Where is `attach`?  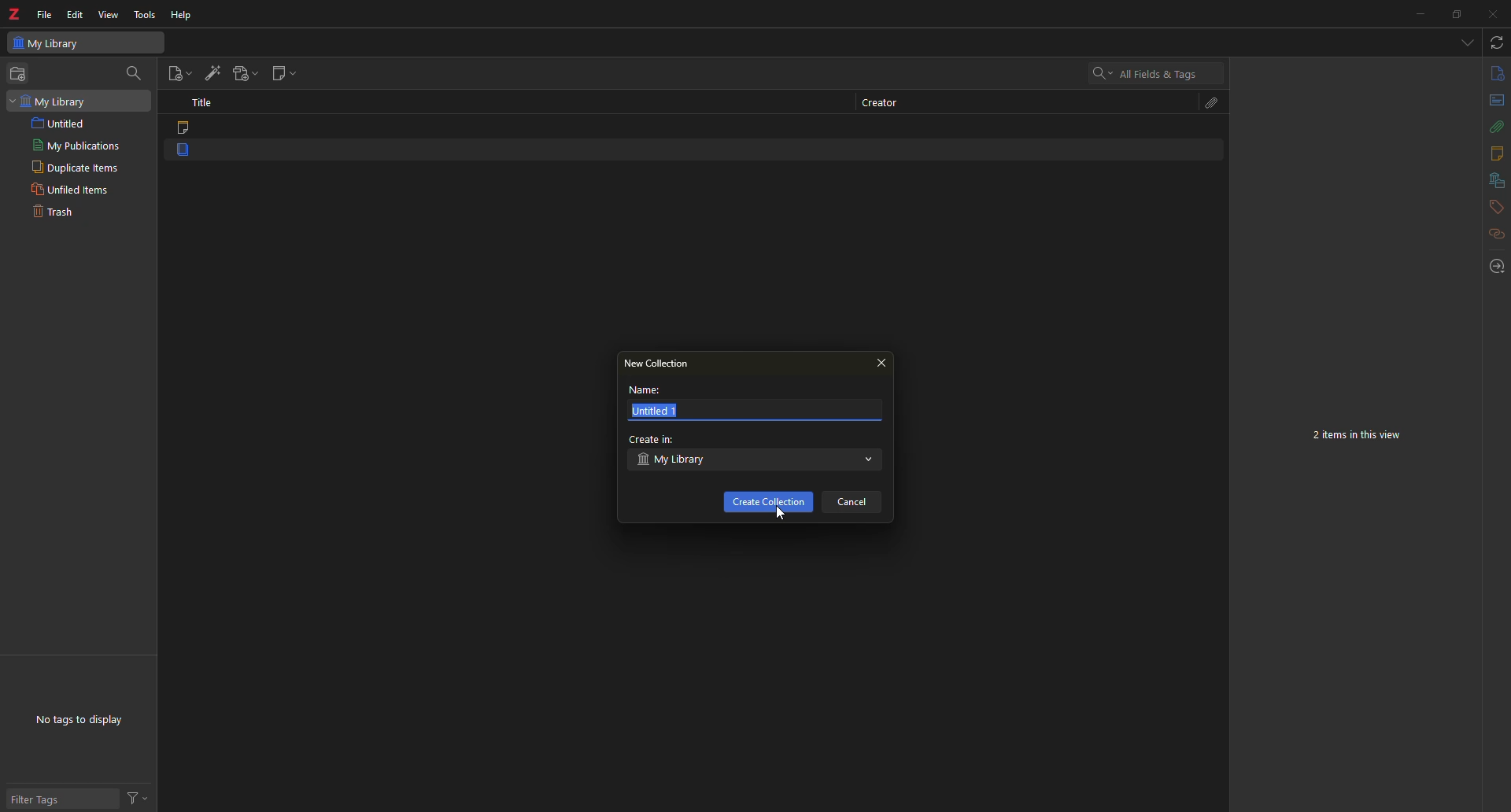
attach is located at coordinates (1491, 127).